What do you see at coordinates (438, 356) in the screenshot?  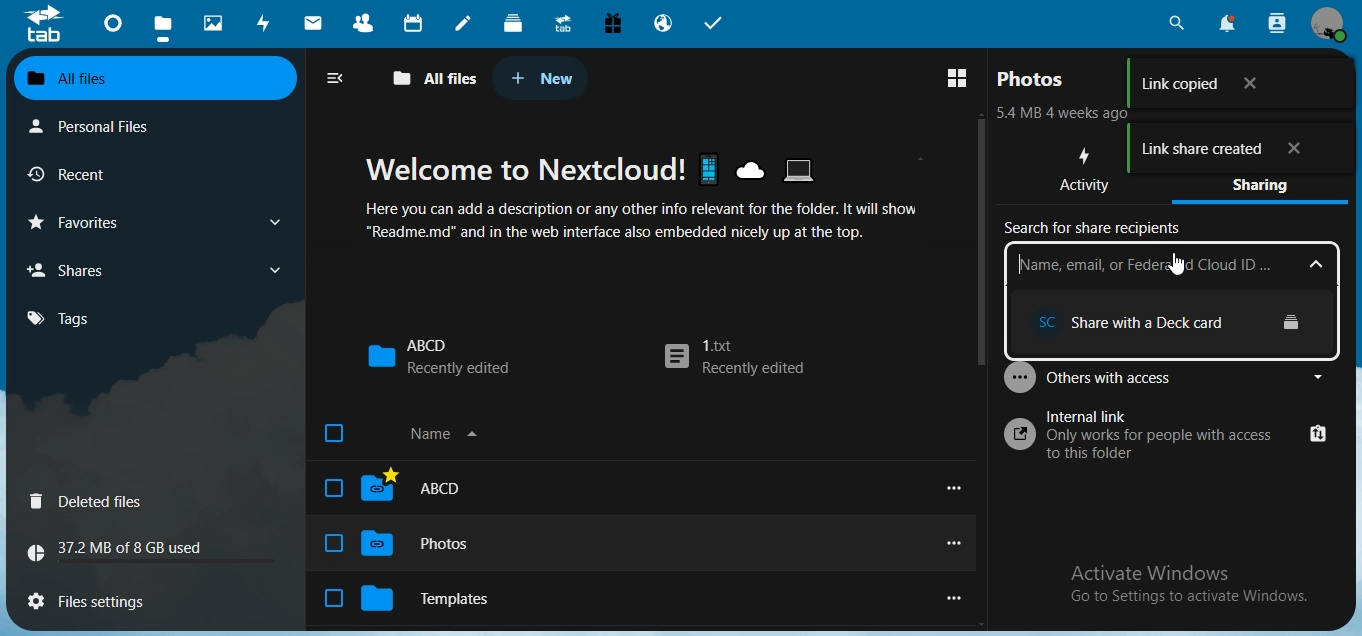 I see `ABCD` at bounding box center [438, 356].